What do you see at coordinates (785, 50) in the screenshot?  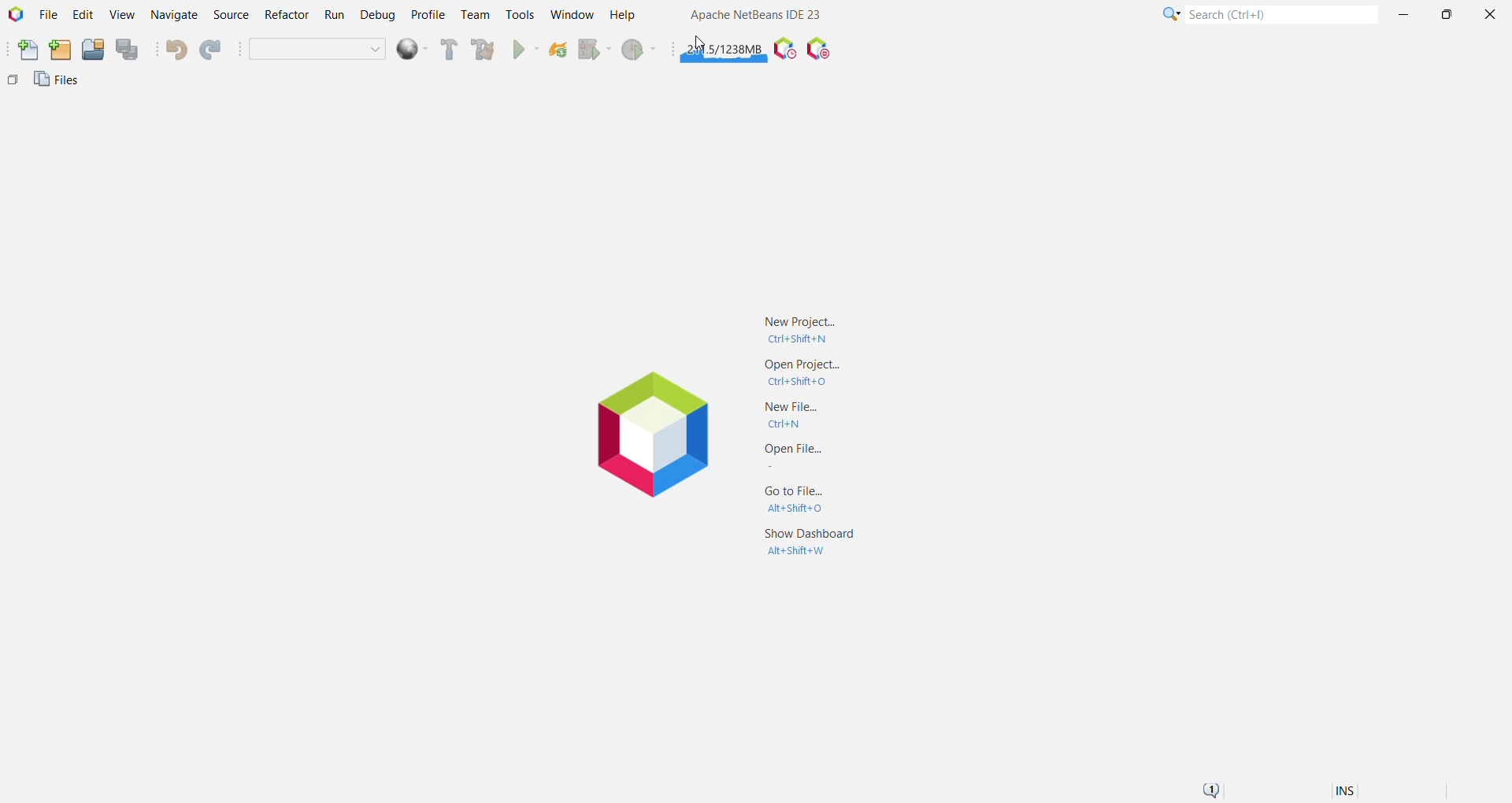 I see `Pause IDE profiling and take a Snapshot` at bounding box center [785, 50].